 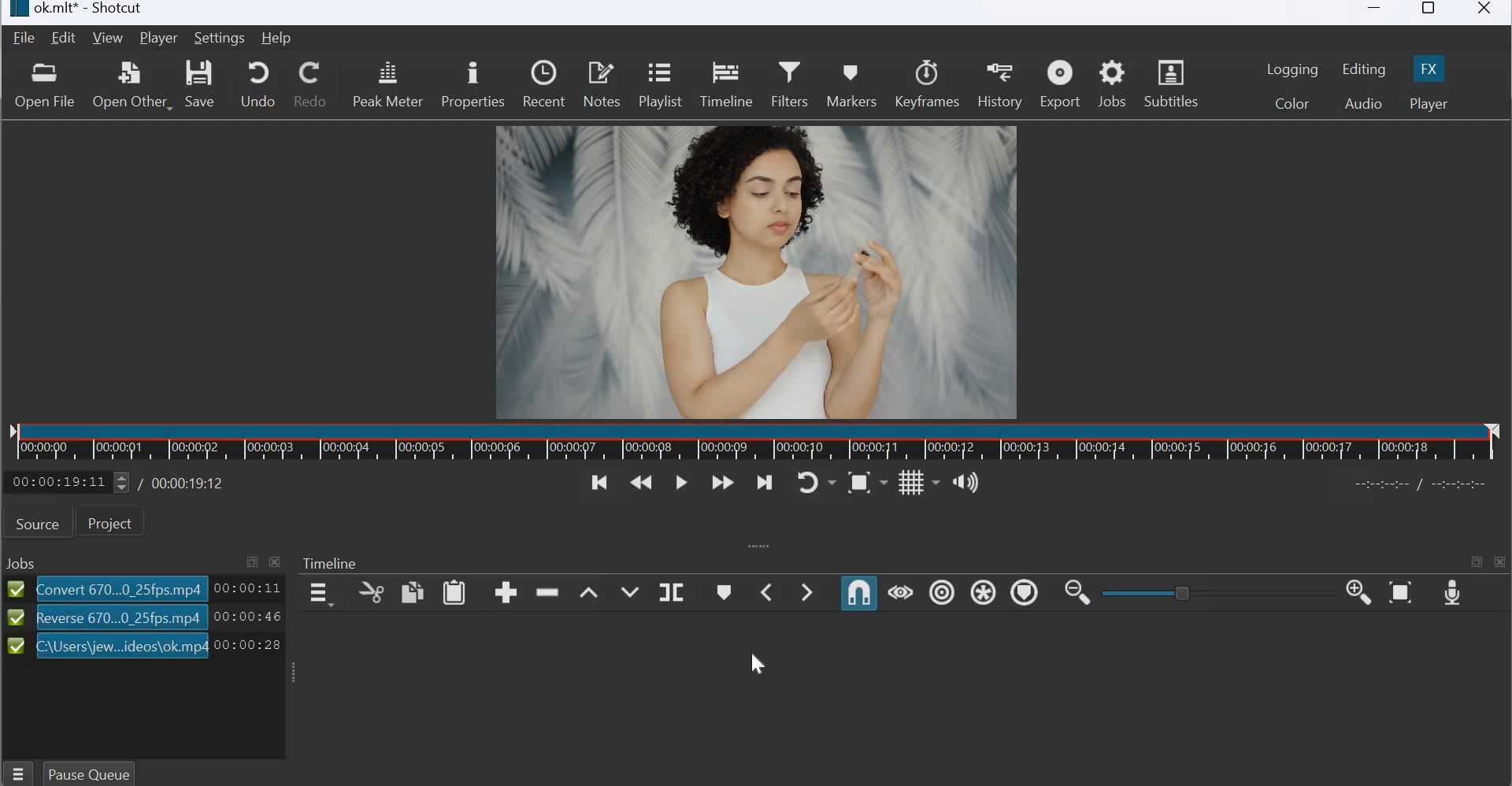 What do you see at coordinates (1501, 562) in the screenshot?
I see `close` at bounding box center [1501, 562].